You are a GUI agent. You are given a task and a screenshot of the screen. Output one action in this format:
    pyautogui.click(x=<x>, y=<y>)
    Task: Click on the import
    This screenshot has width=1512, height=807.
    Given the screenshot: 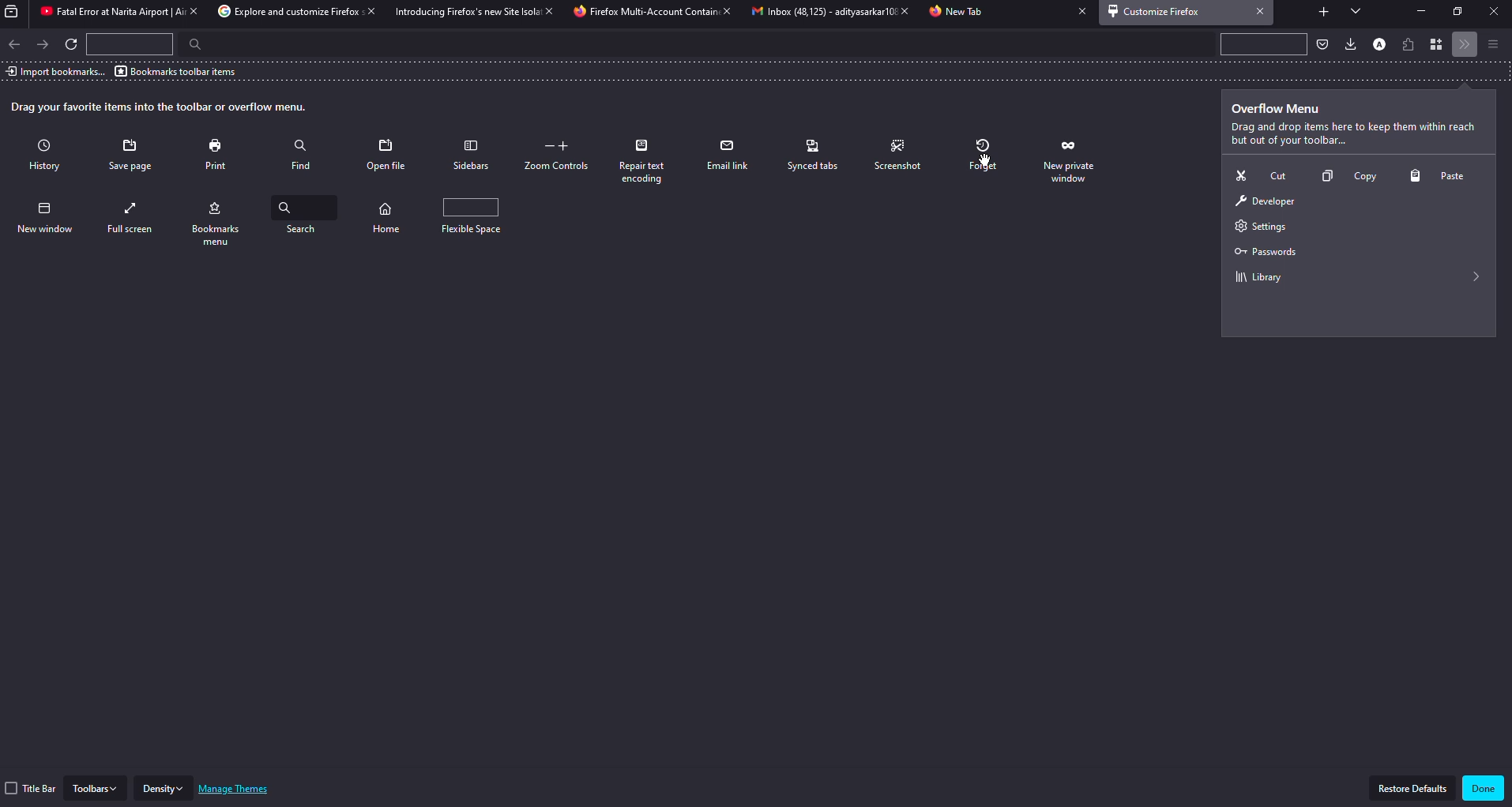 What is the action you would take?
    pyautogui.click(x=55, y=71)
    